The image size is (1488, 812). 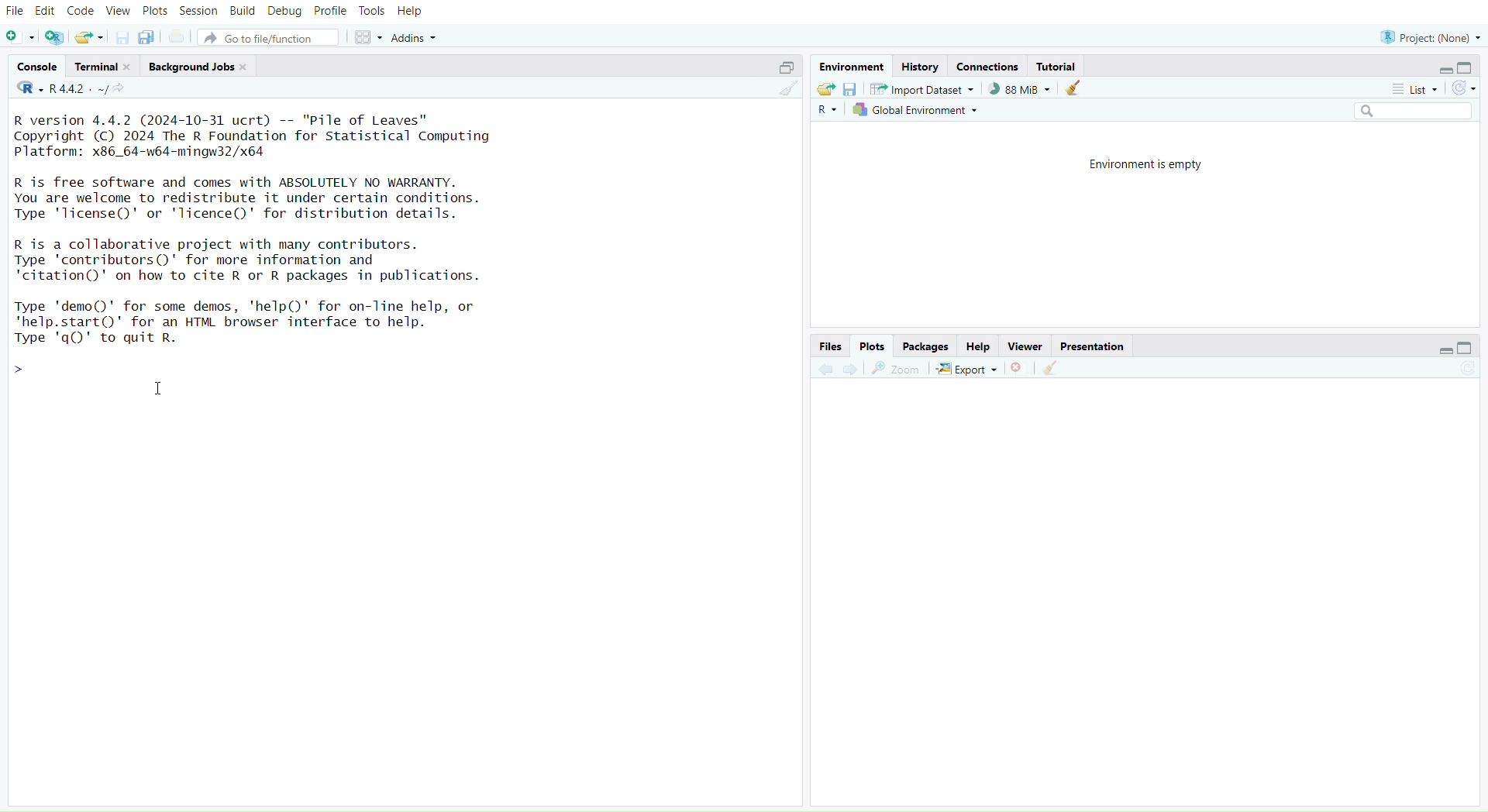 What do you see at coordinates (371, 11) in the screenshot?
I see `tools` at bounding box center [371, 11].